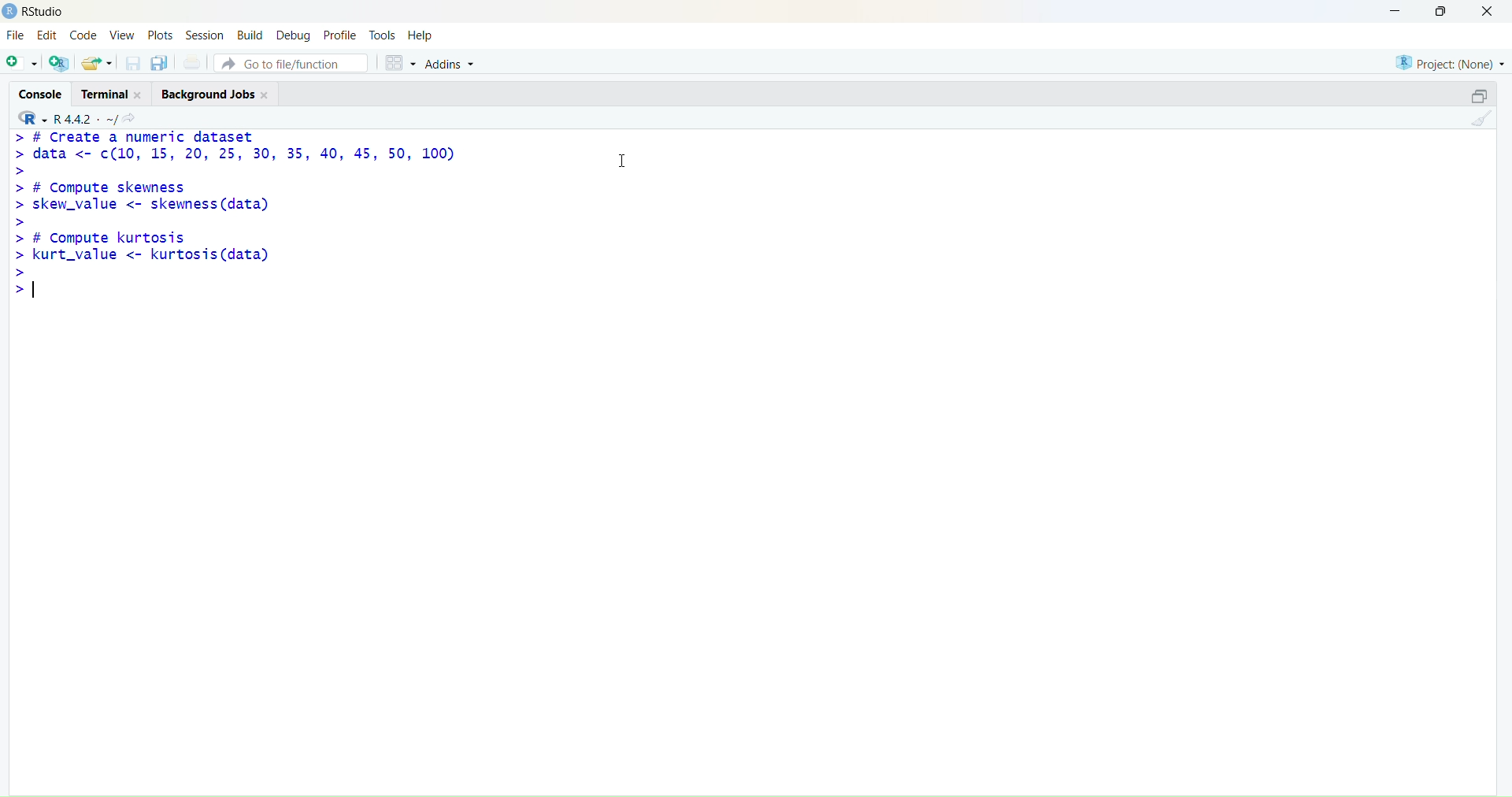 The width and height of the screenshot is (1512, 797). Describe the element at coordinates (1440, 13) in the screenshot. I see `Maximize` at that location.